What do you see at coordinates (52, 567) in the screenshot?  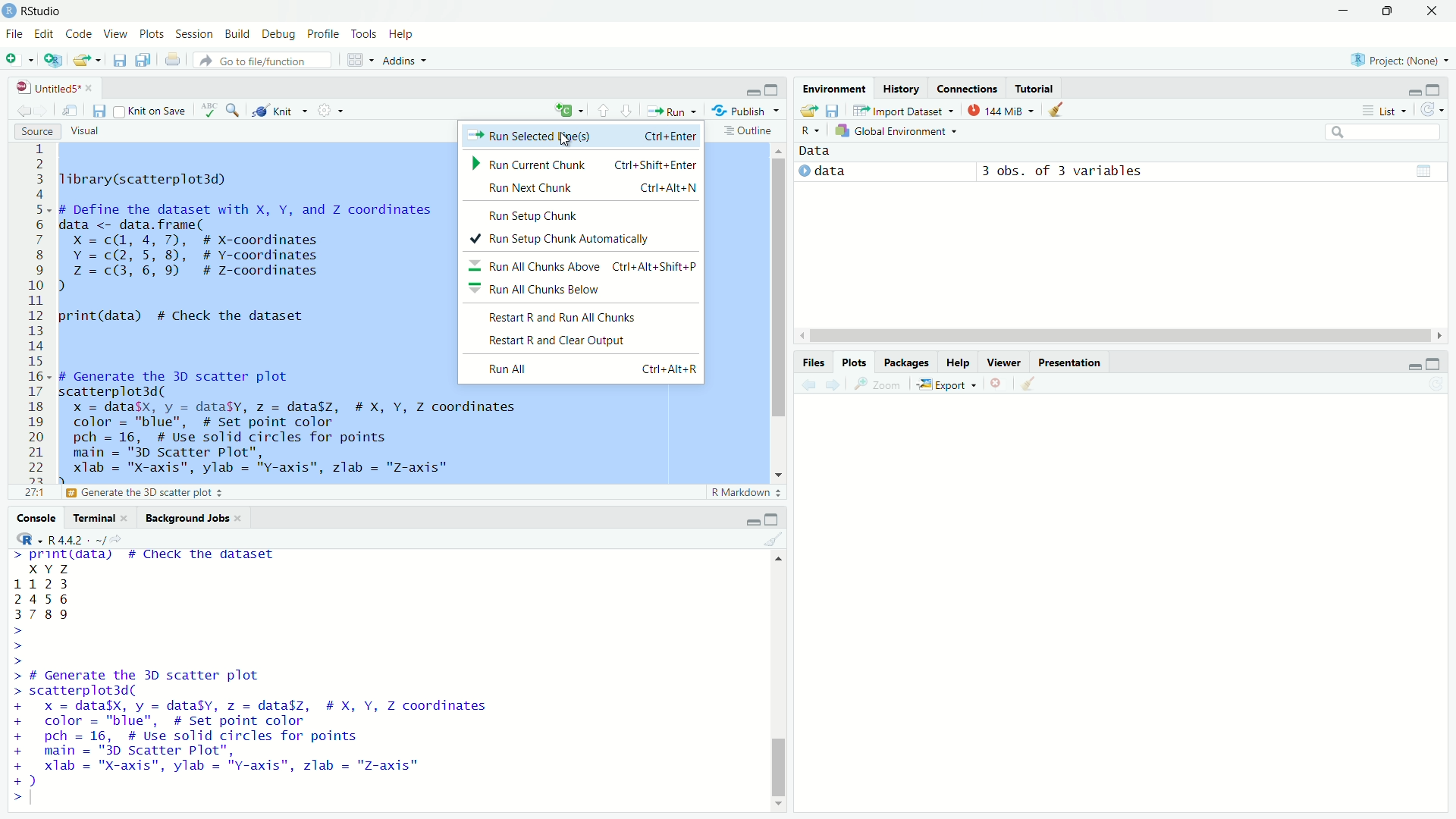 I see `x y 7` at bounding box center [52, 567].